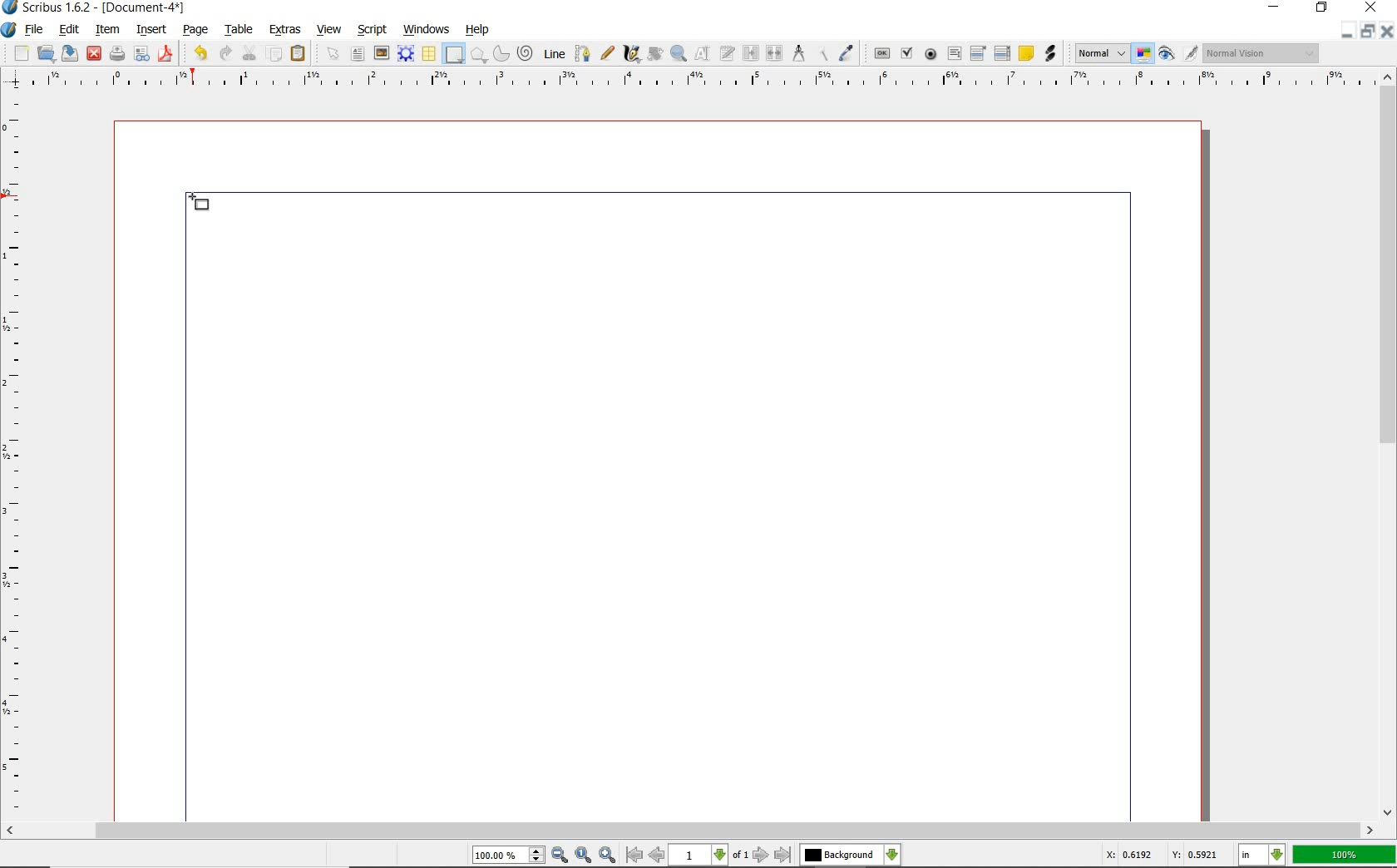 This screenshot has width=1397, height=868. Describe the element at coordinates (762, 855) in the screenshot. I see `go to next page` at that location.